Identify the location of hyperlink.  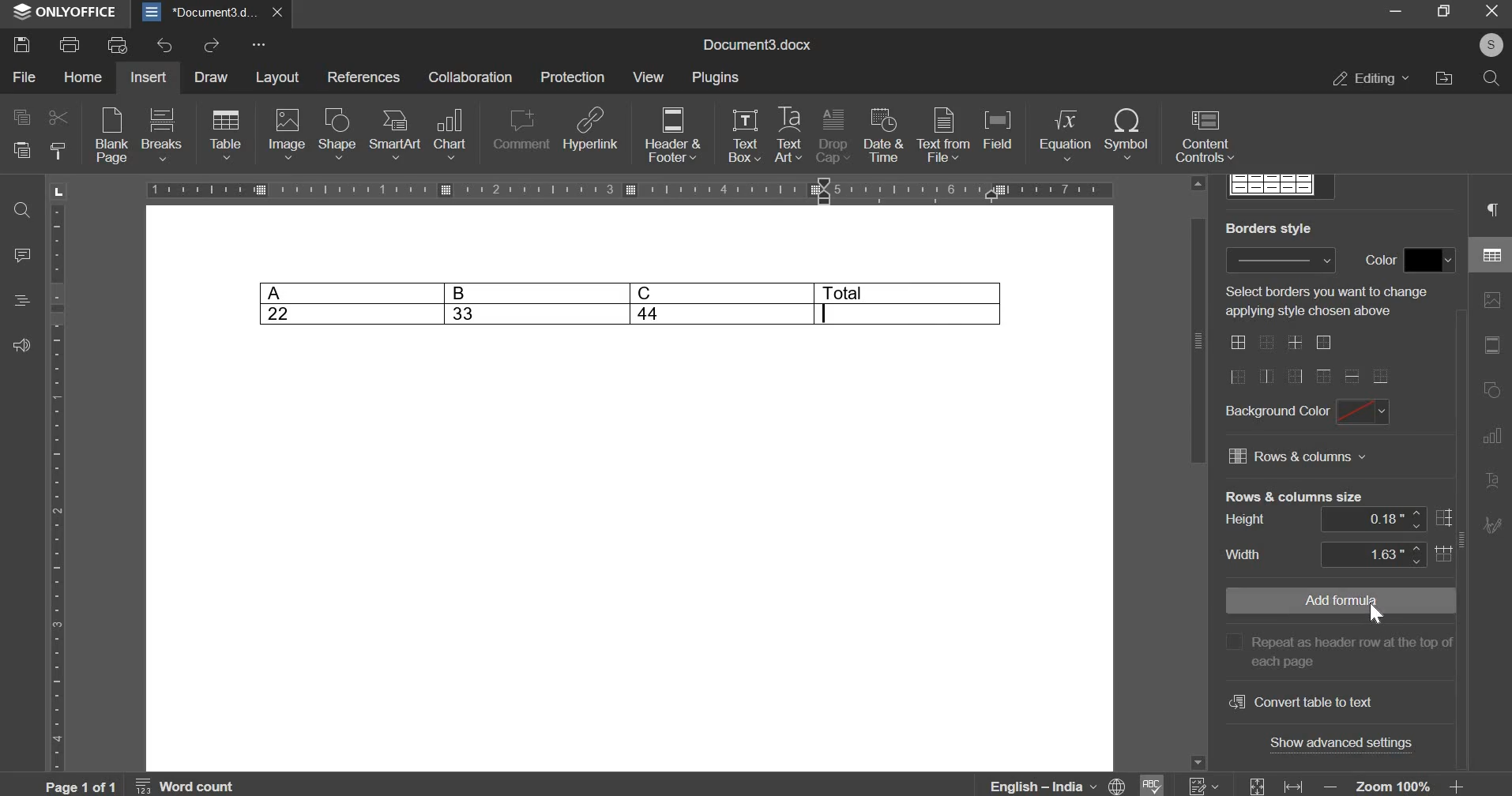
(590, 128).